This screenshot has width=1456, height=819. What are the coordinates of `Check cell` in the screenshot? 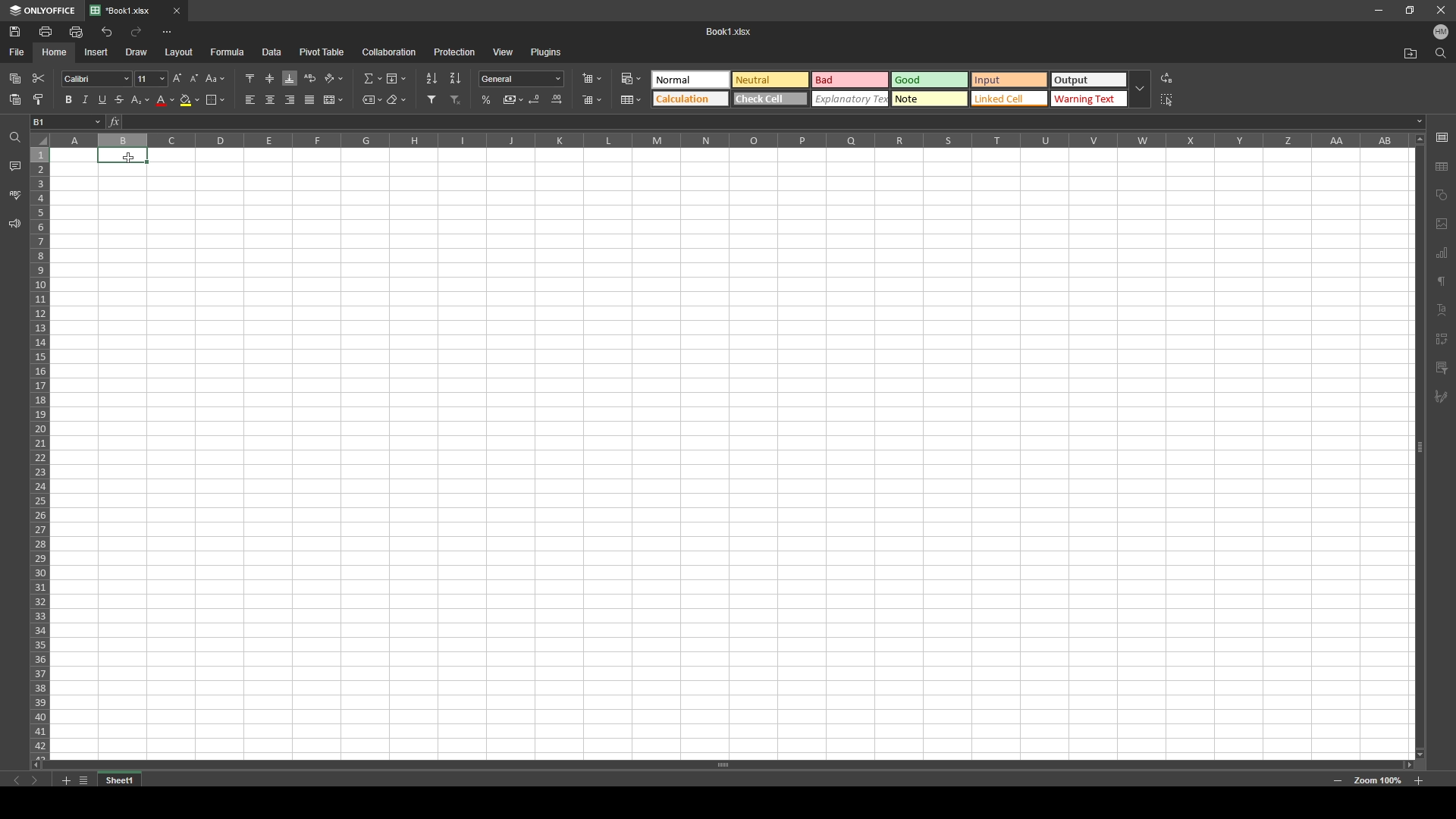 It's located at (770, 100).